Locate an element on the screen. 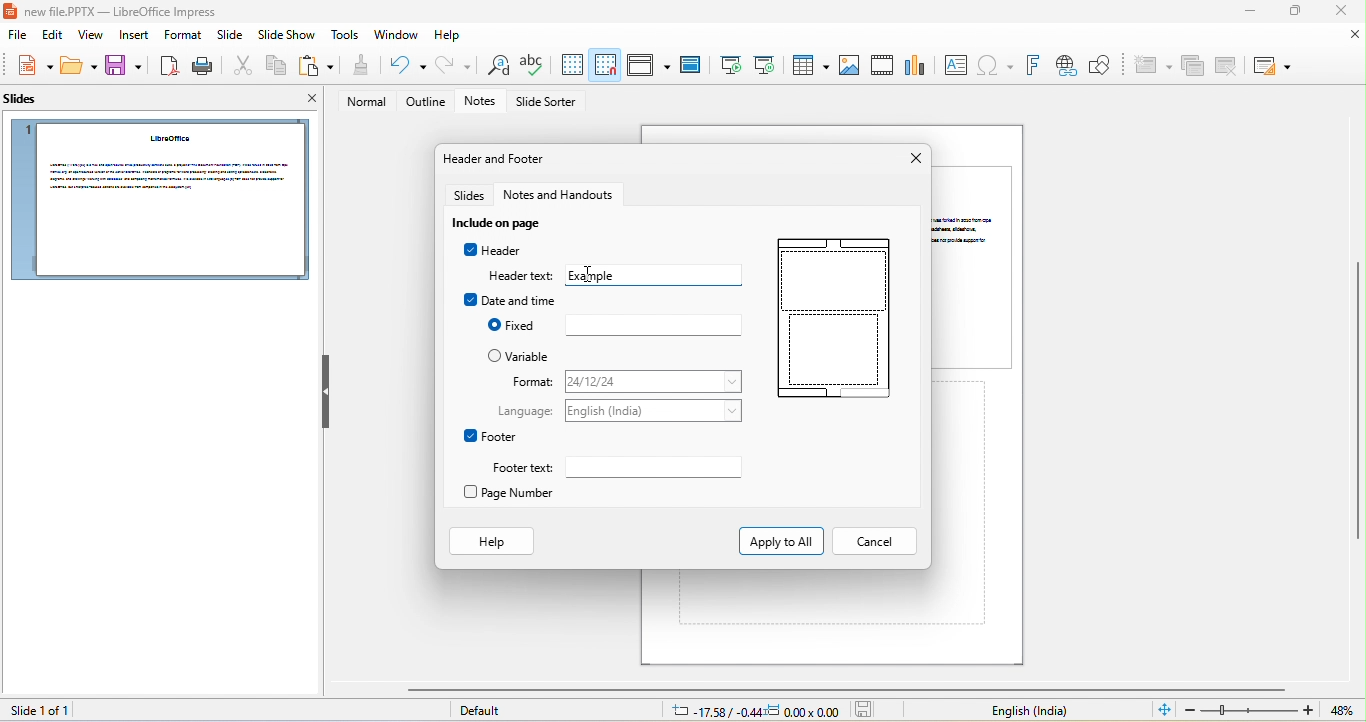 Image resolution: width=1366 pixels, height=722 pixels. format is located at coordinates (526, 382).